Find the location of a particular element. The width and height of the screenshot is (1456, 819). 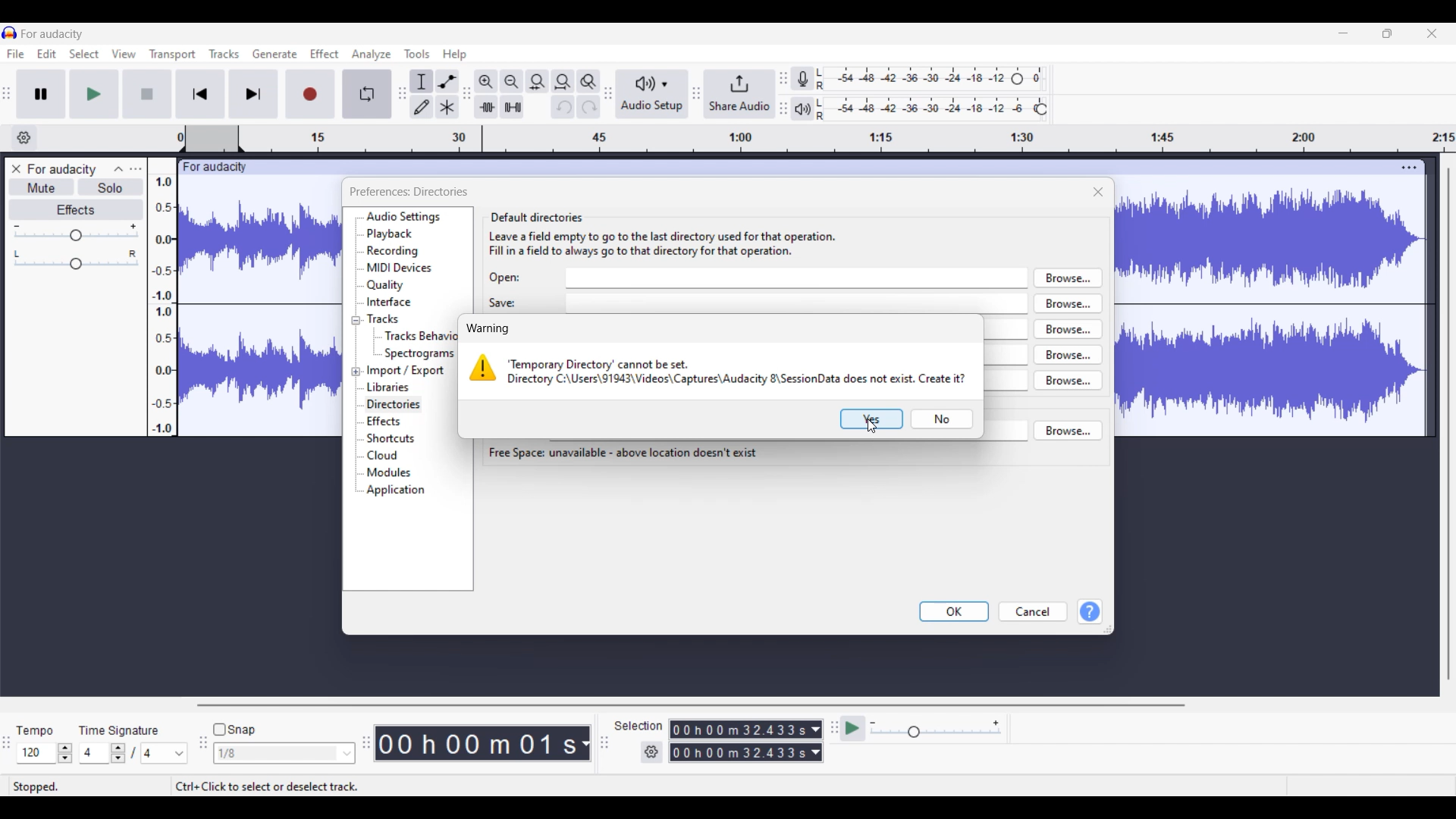

Selection tool is located at coordinates (422, 81).